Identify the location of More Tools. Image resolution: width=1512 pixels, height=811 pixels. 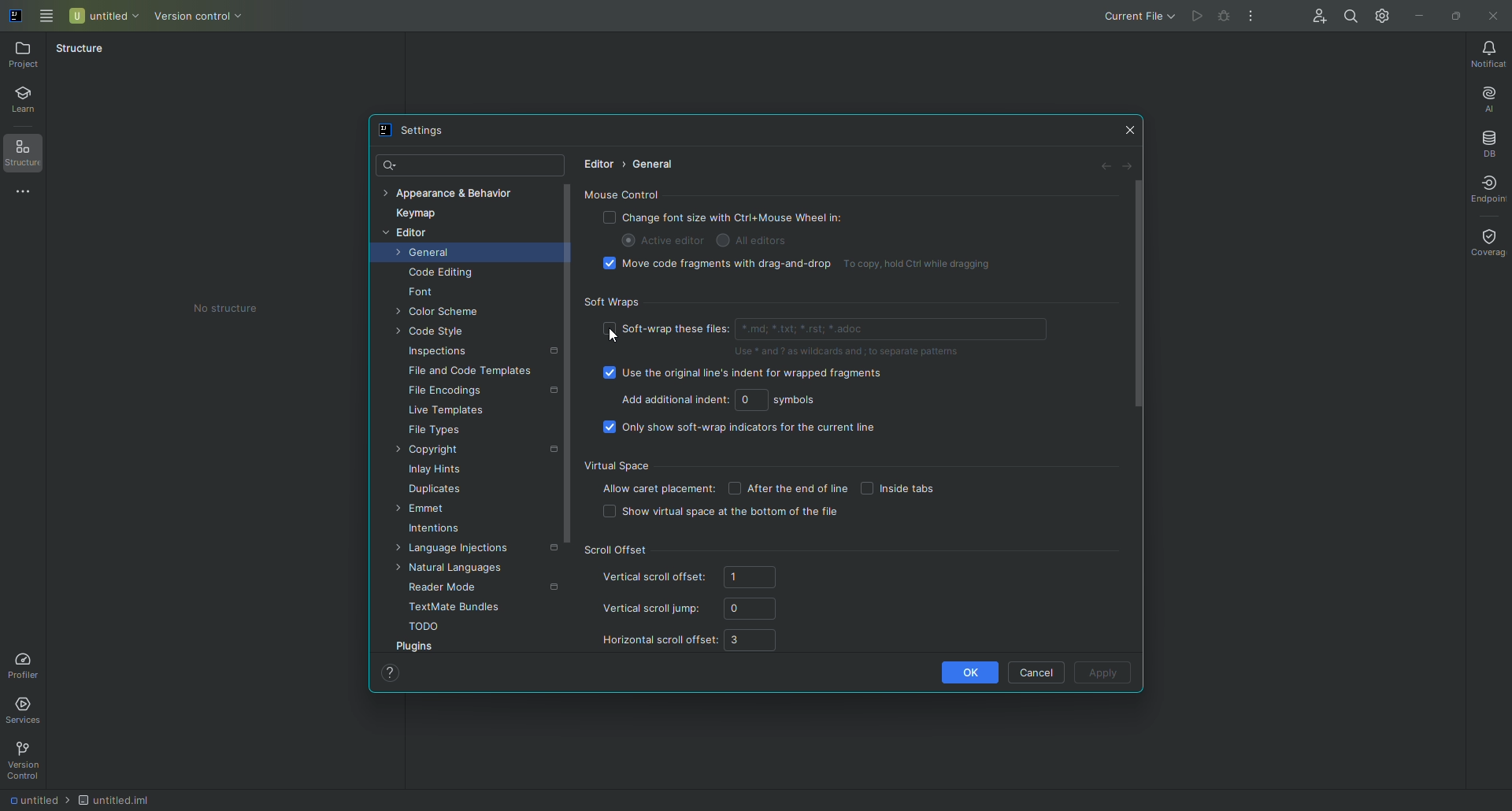
(27, 196).